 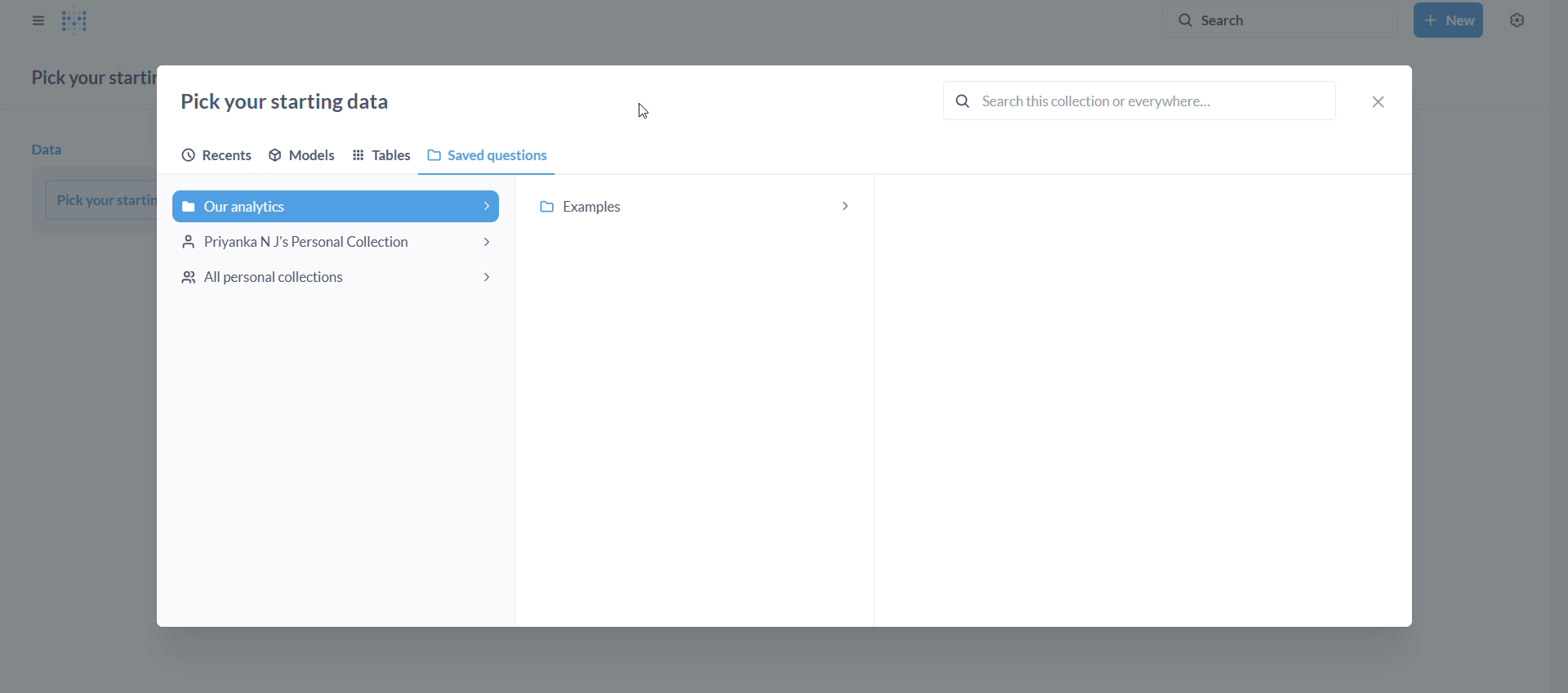 What do you see at coordinates (292, 104) in the screenshot?
I see `pick your starting data` at bounding box center [292, 104].